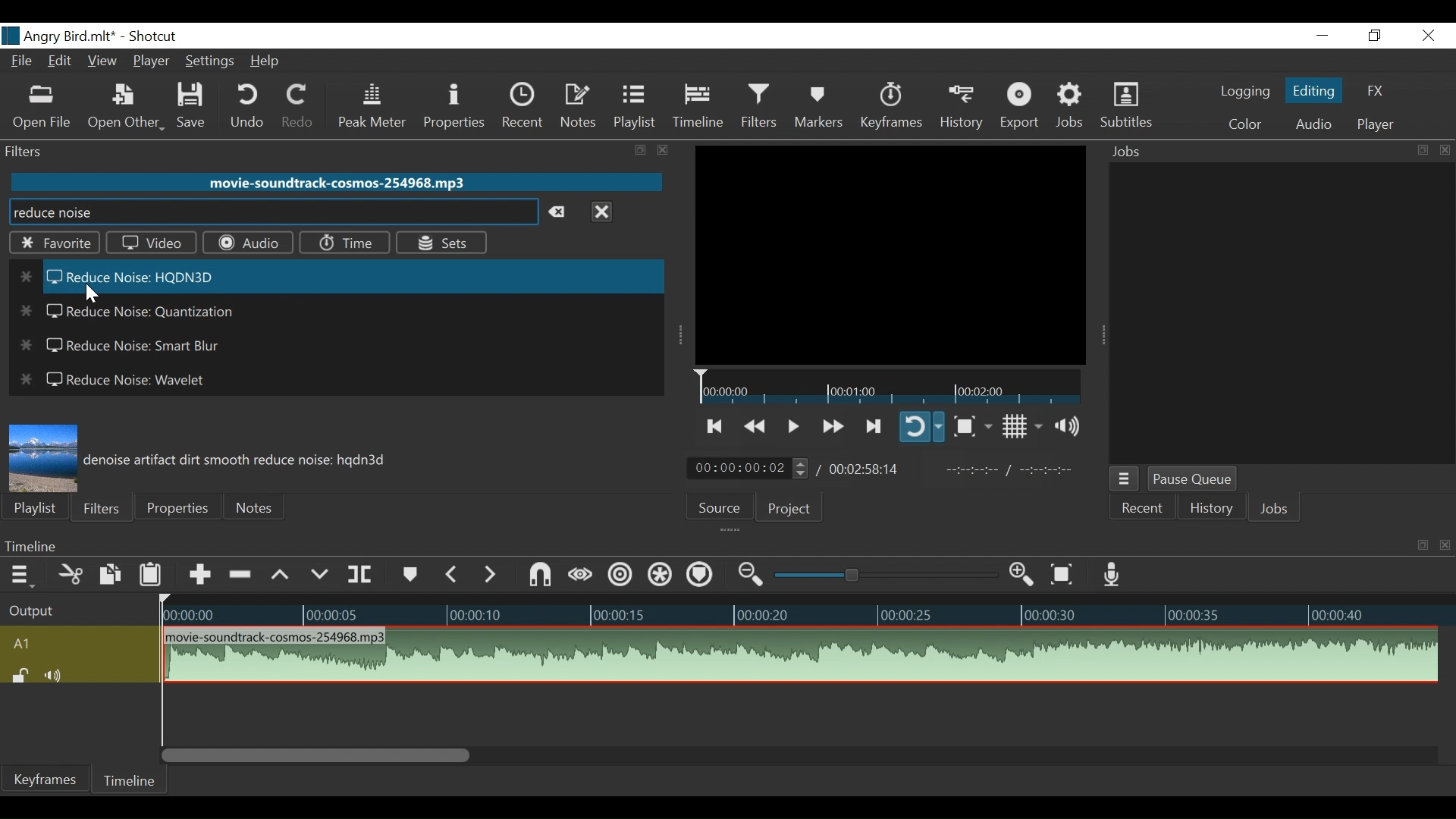  I want to click on Toggle display grid on player, so click(1021, 428).